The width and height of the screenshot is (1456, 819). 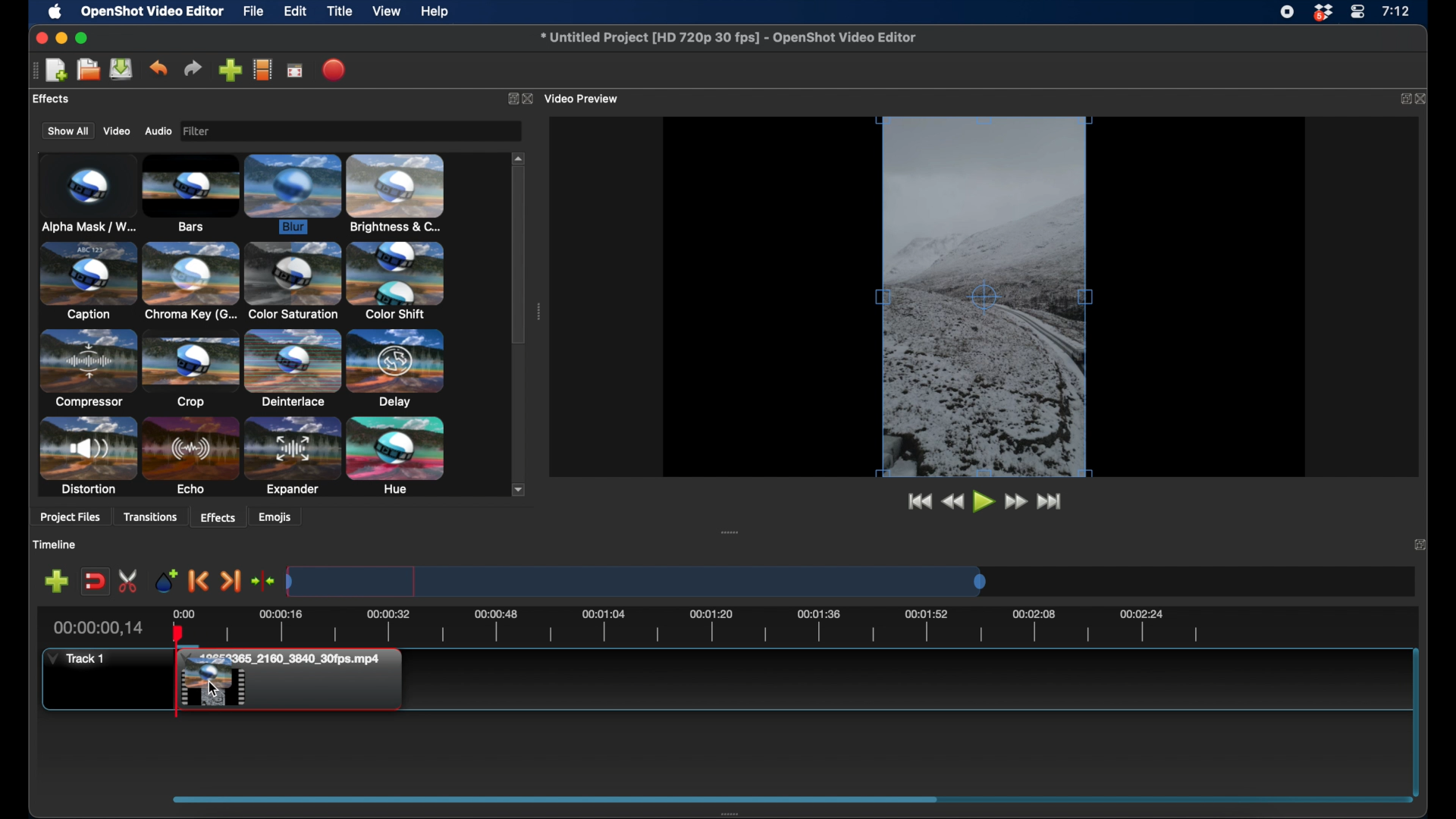 I want to click on previous marker, so click(x=199, y=581).